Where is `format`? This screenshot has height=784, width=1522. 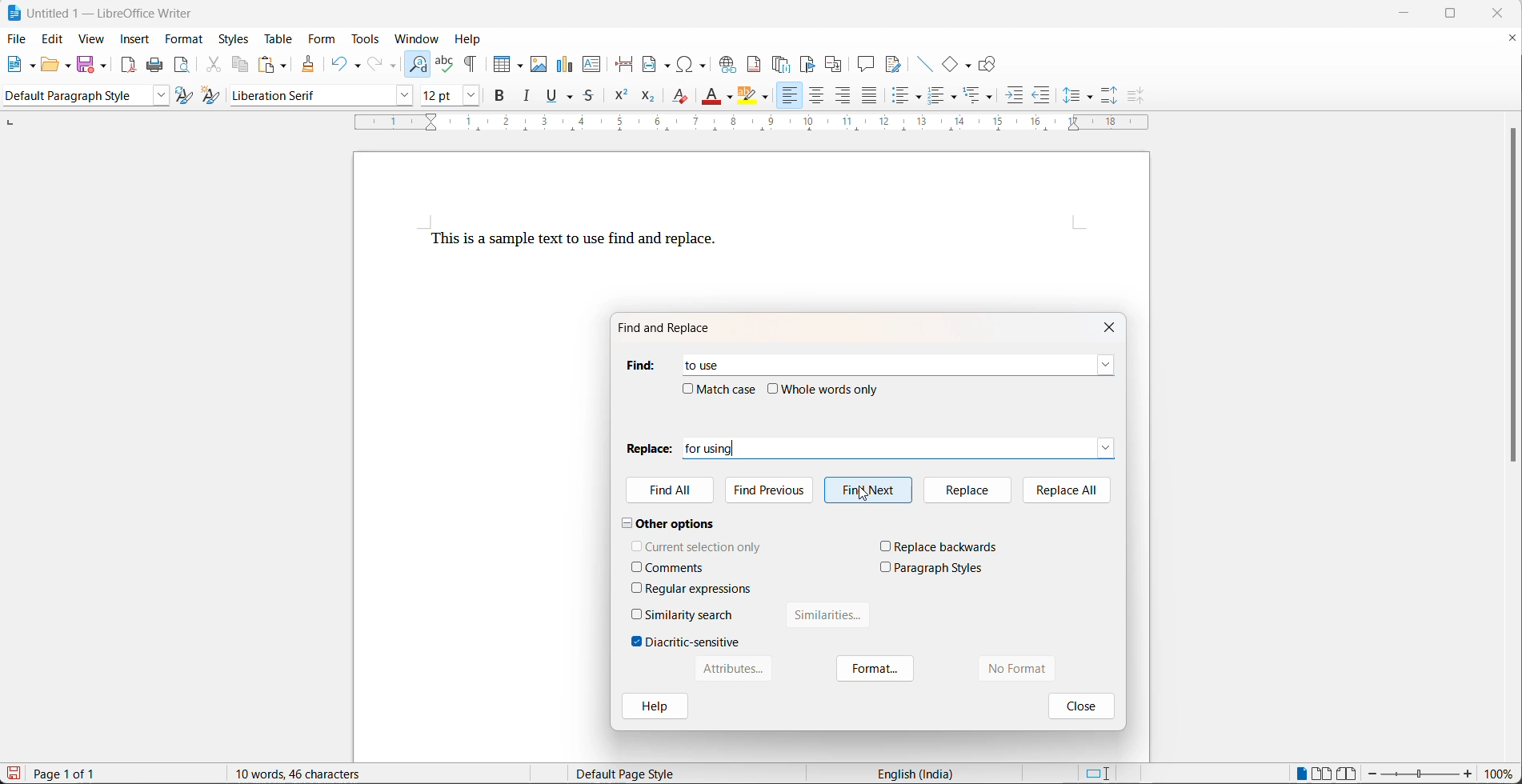
format is located at coordinates (876, 670).